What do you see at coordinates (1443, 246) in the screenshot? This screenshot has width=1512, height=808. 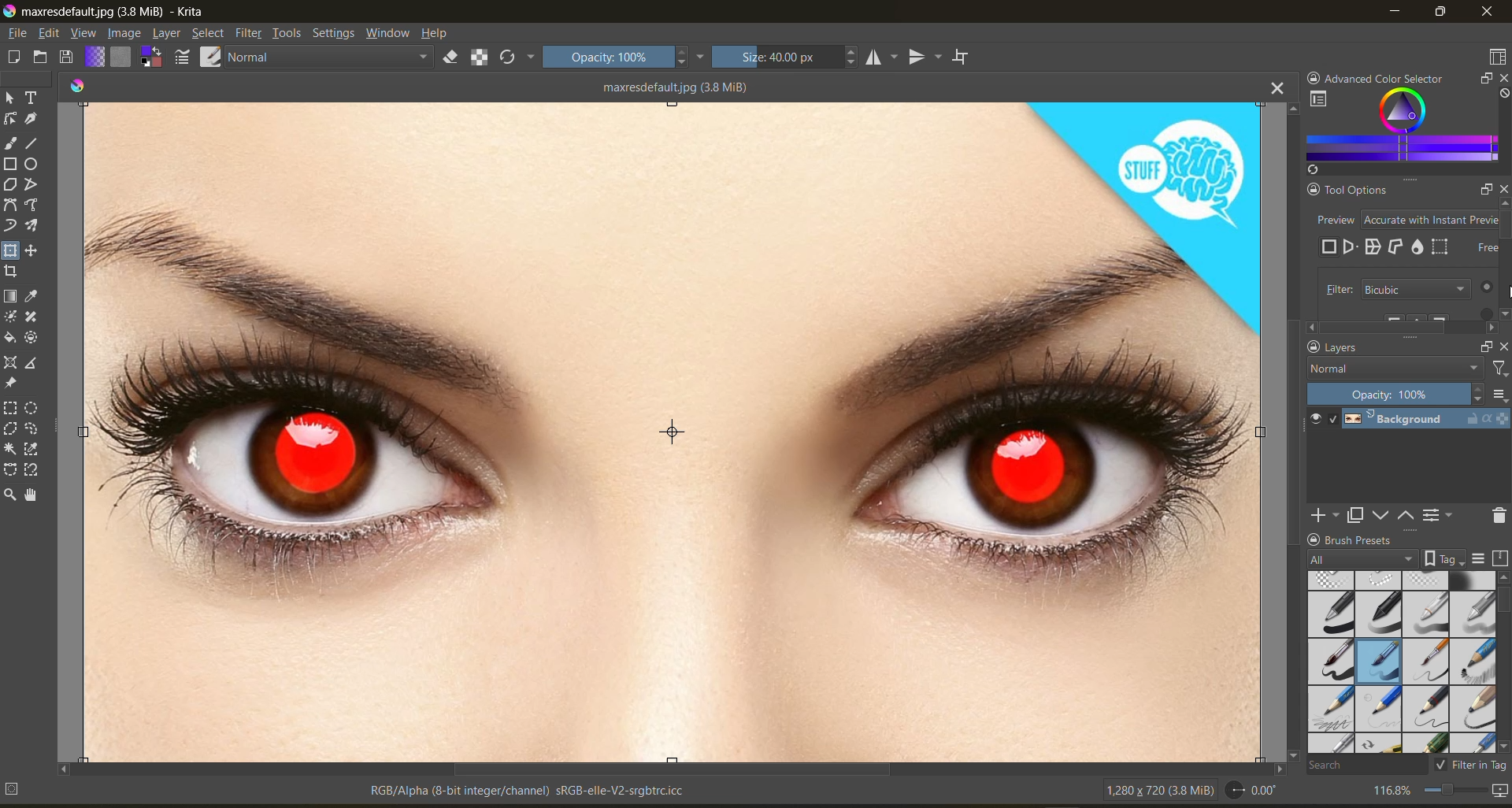 I see `mesh` at bounding box center [1443, 246].